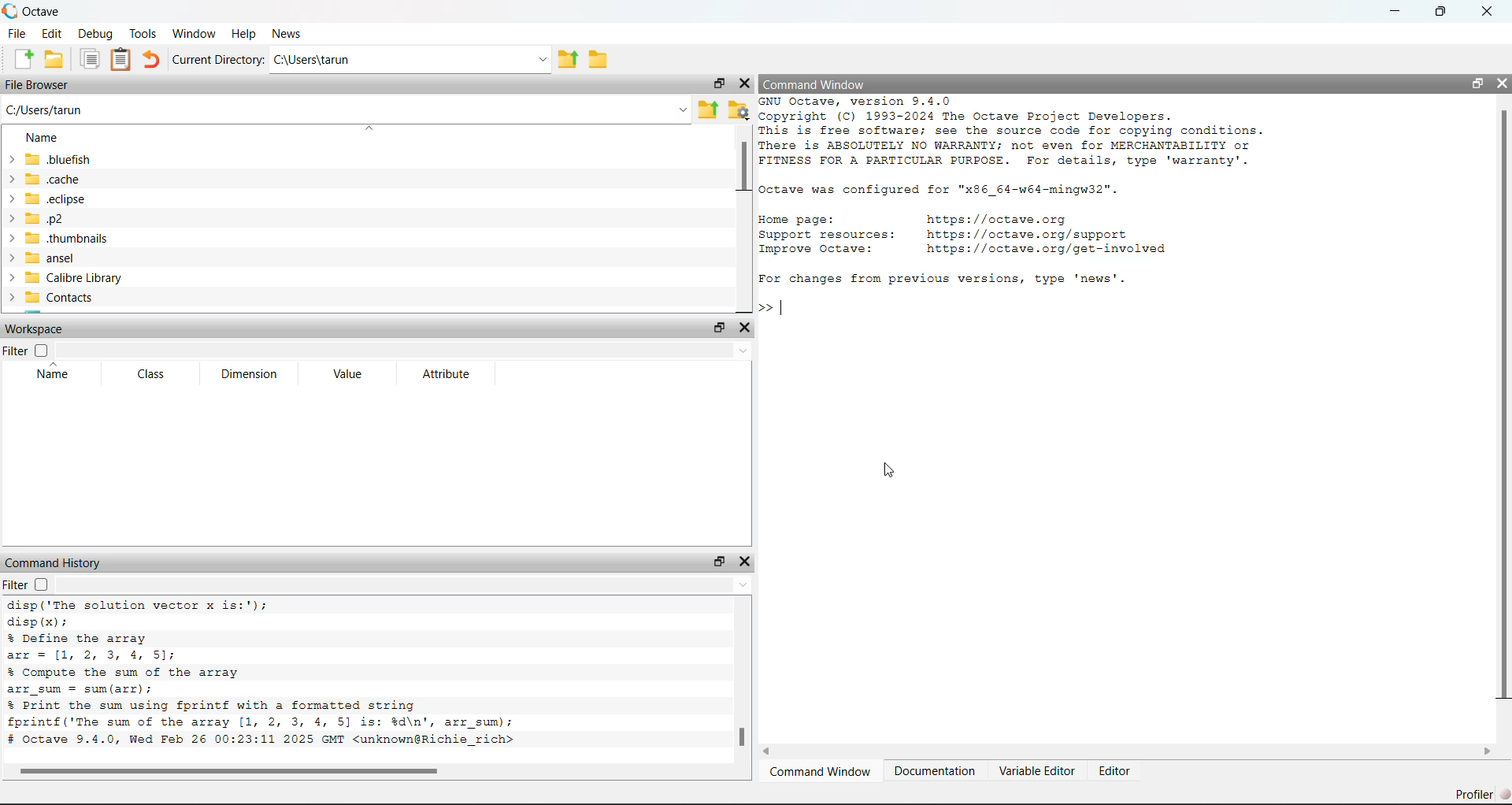  What do you see at coordinates (742, 167) in the screenshot?
I see `Scrollbar` at bounding box center [742, 167].